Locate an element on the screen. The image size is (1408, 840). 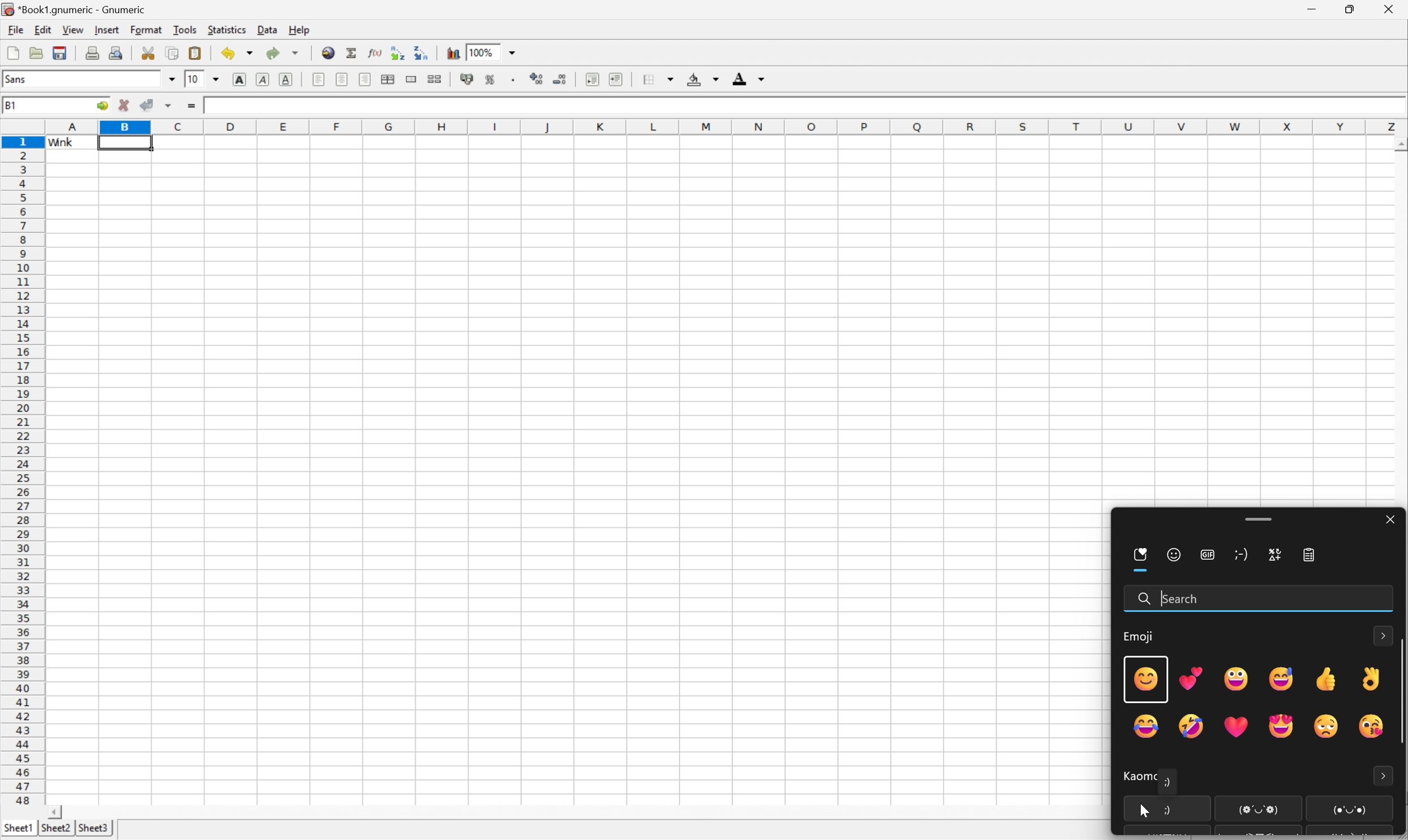
accept changes is located at coordinates (146, 104).